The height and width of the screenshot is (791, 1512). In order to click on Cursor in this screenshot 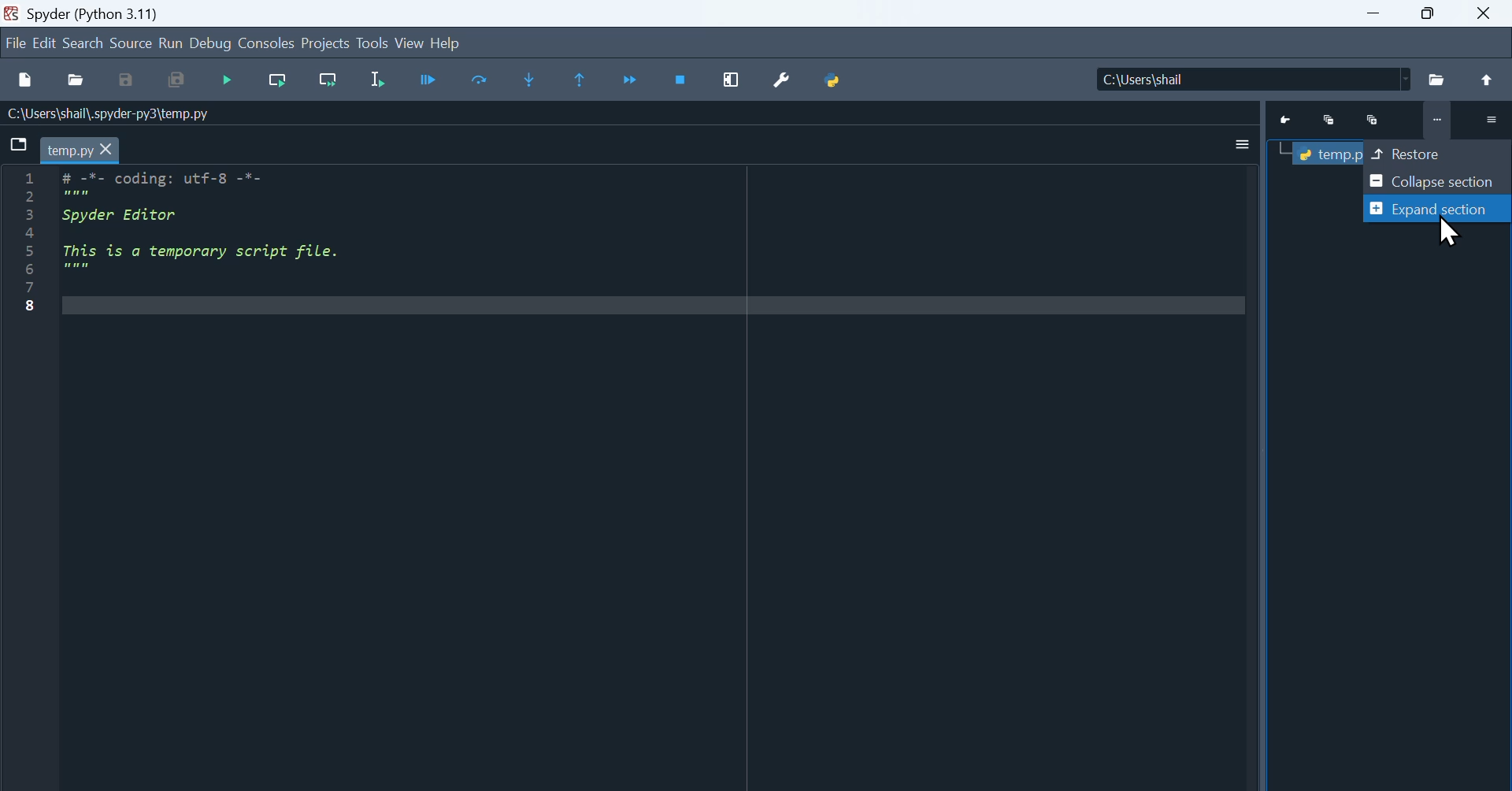, I will do `click(1450, 232)`.